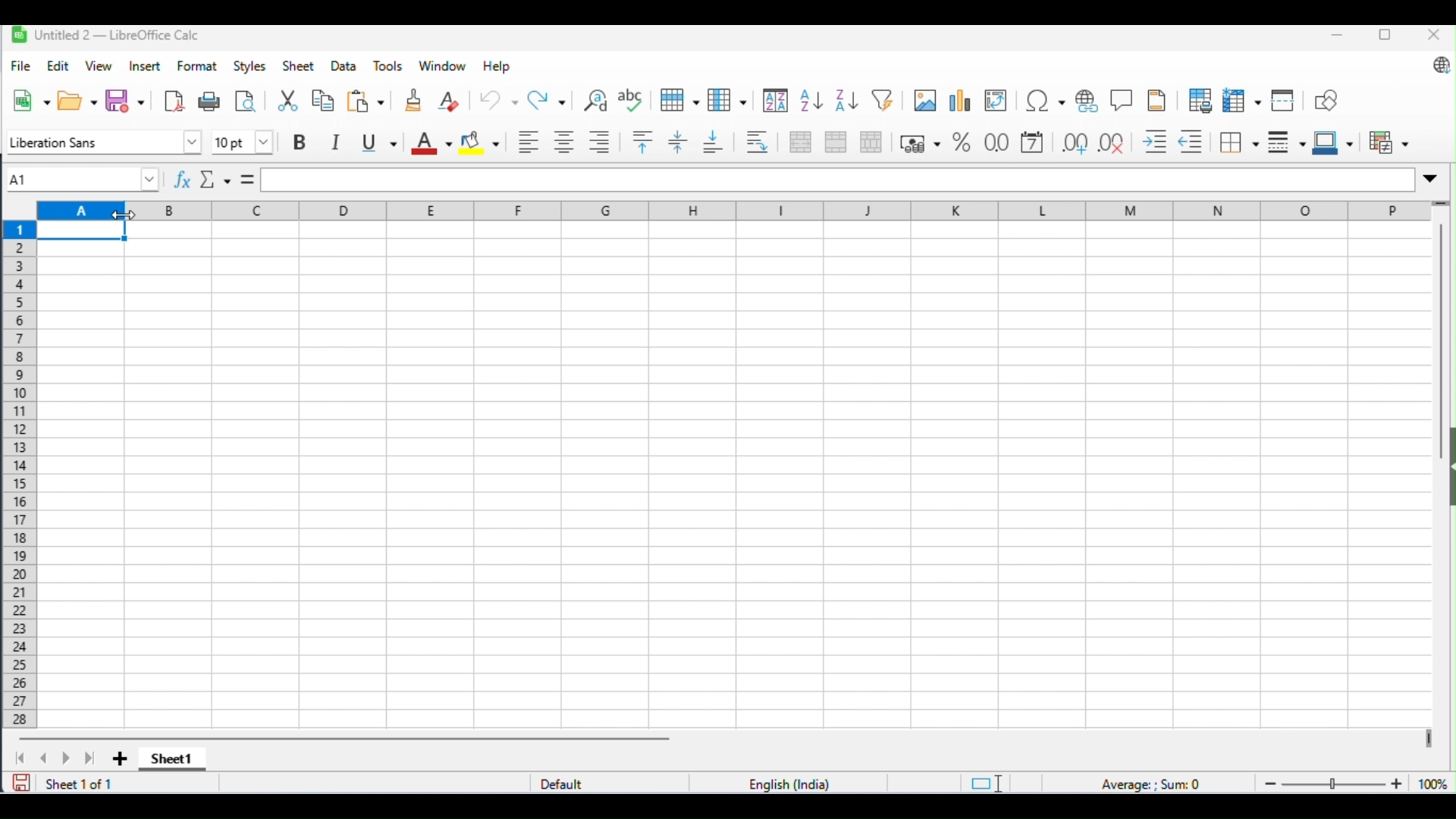 This screenshot has height=819, width=1456. I want to click on bold, so click(300, 142).